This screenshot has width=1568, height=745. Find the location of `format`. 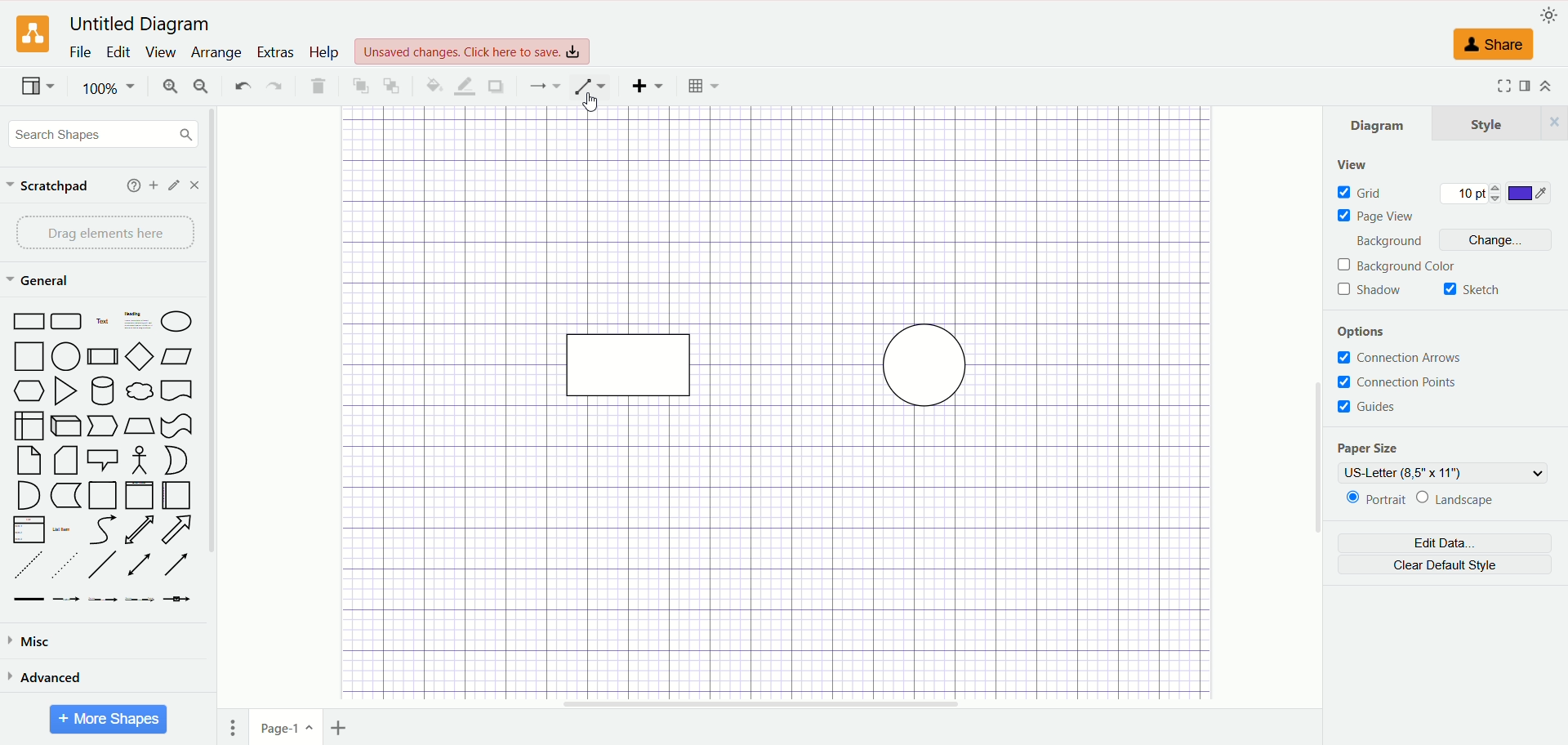

format is located at coordinates (1527, 86).